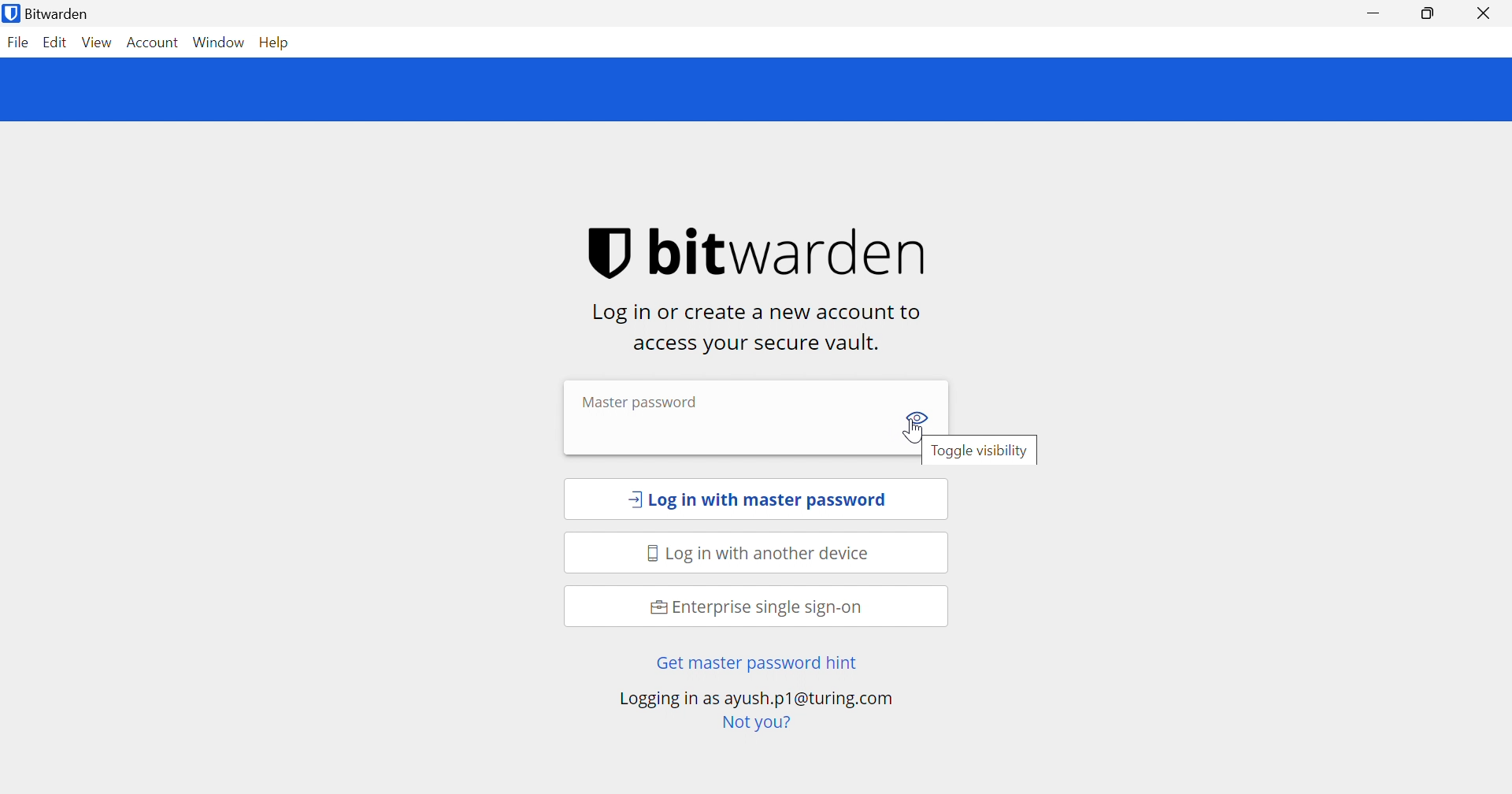  I want to click on Toggle Visibility, so click(920, 416).